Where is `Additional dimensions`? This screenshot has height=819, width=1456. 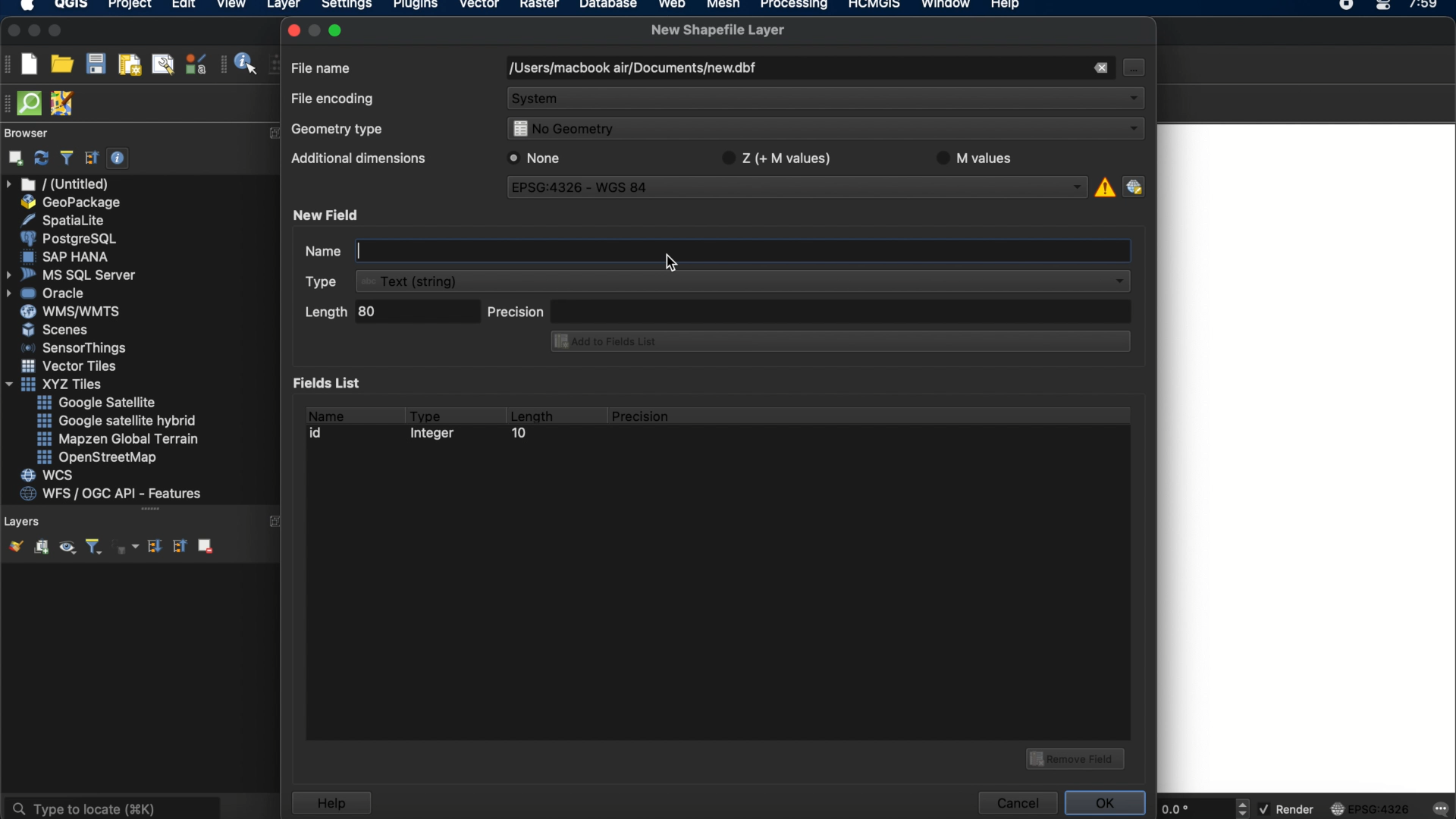
Additional dimensions is located at coordinates (356, 161).